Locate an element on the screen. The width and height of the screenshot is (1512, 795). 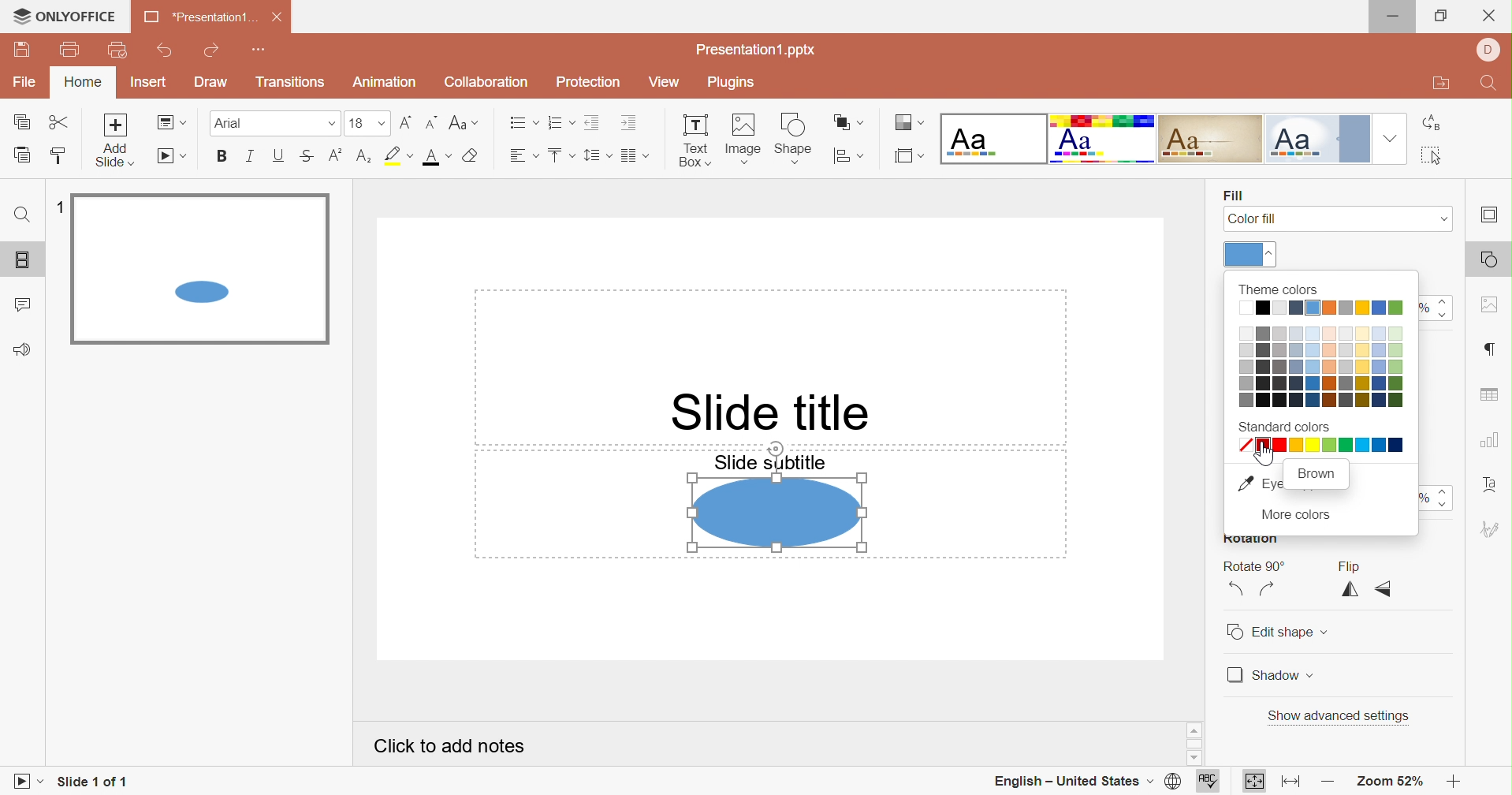
Text art settings is located at coordinates (1492, 483).